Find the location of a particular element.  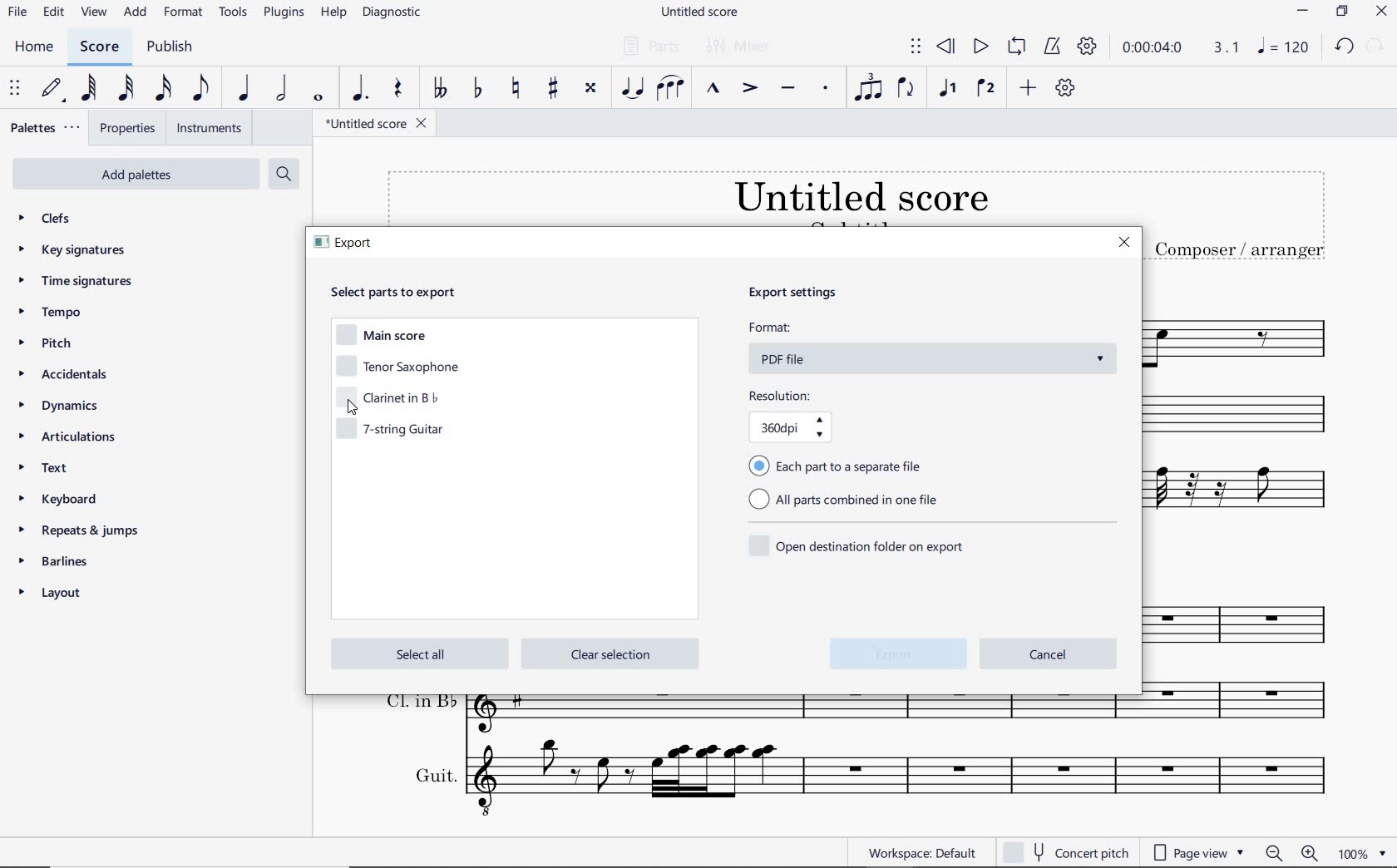

DYNAMICS is located at coordinates (62, 408).